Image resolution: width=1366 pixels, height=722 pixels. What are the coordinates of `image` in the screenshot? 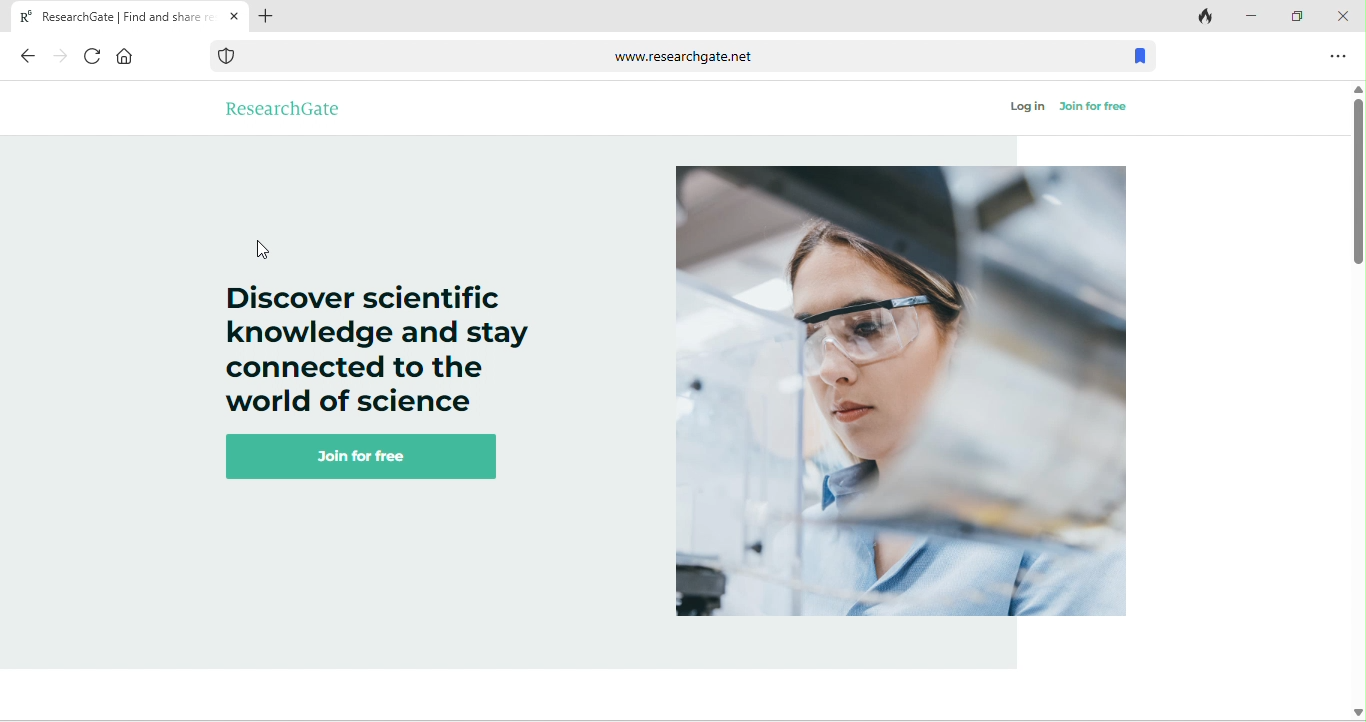 It's located at (905, 392).